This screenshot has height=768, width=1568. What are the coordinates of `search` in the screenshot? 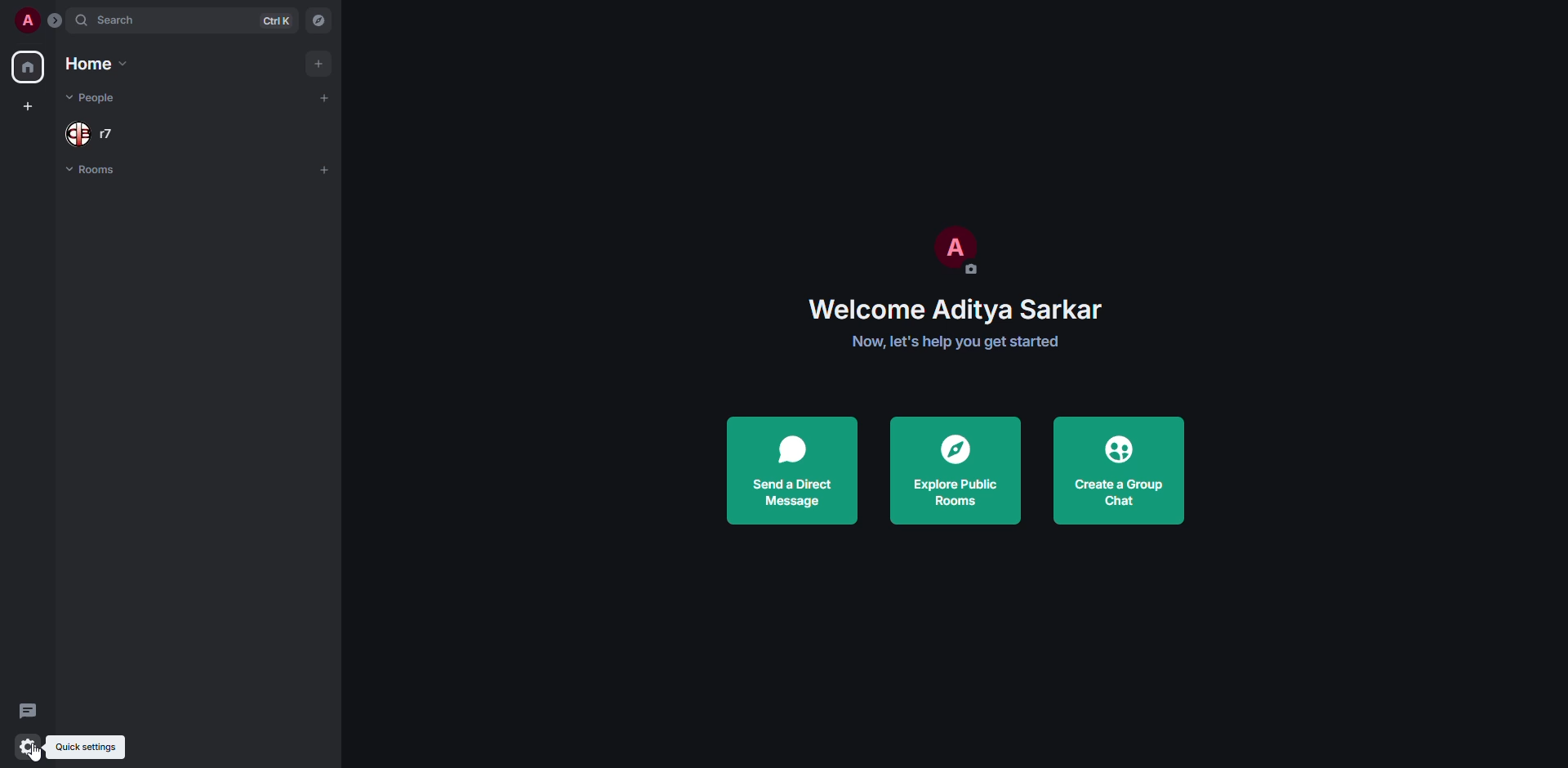 It's located at (120, 21).